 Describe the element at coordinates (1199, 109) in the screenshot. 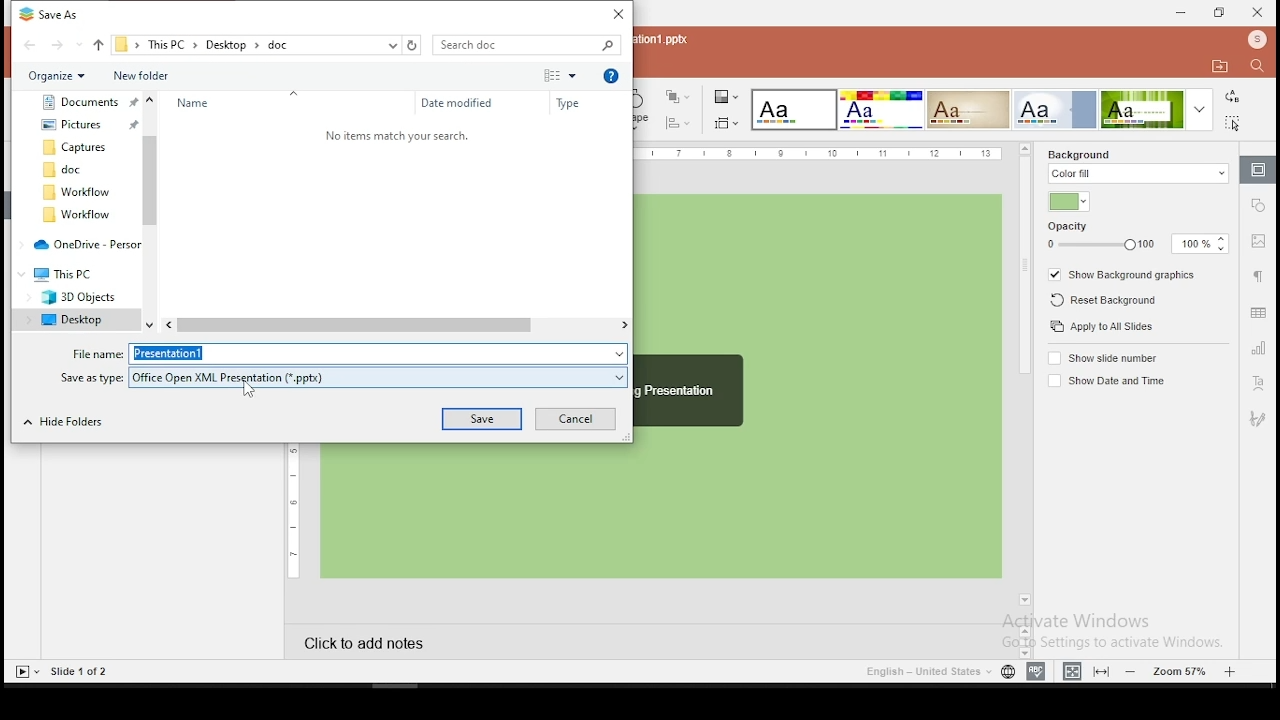

I see `more color theme` at that location.